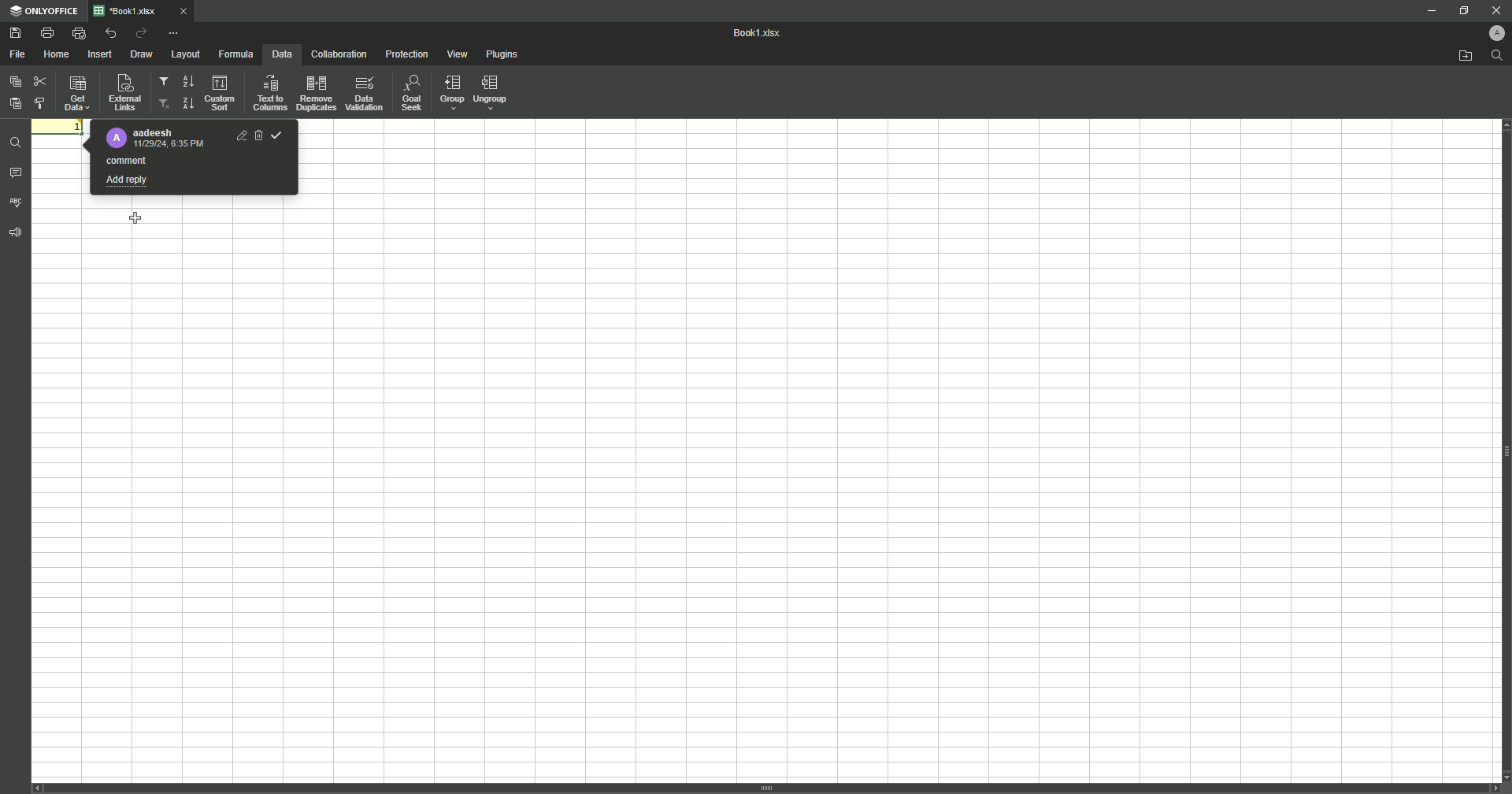 Image resolution: width=1512 pixels, height=794 pixels. What do you see at coordinates (258, 135) in the screenshot?
I see `Delete` at bounding box center [258, 135].